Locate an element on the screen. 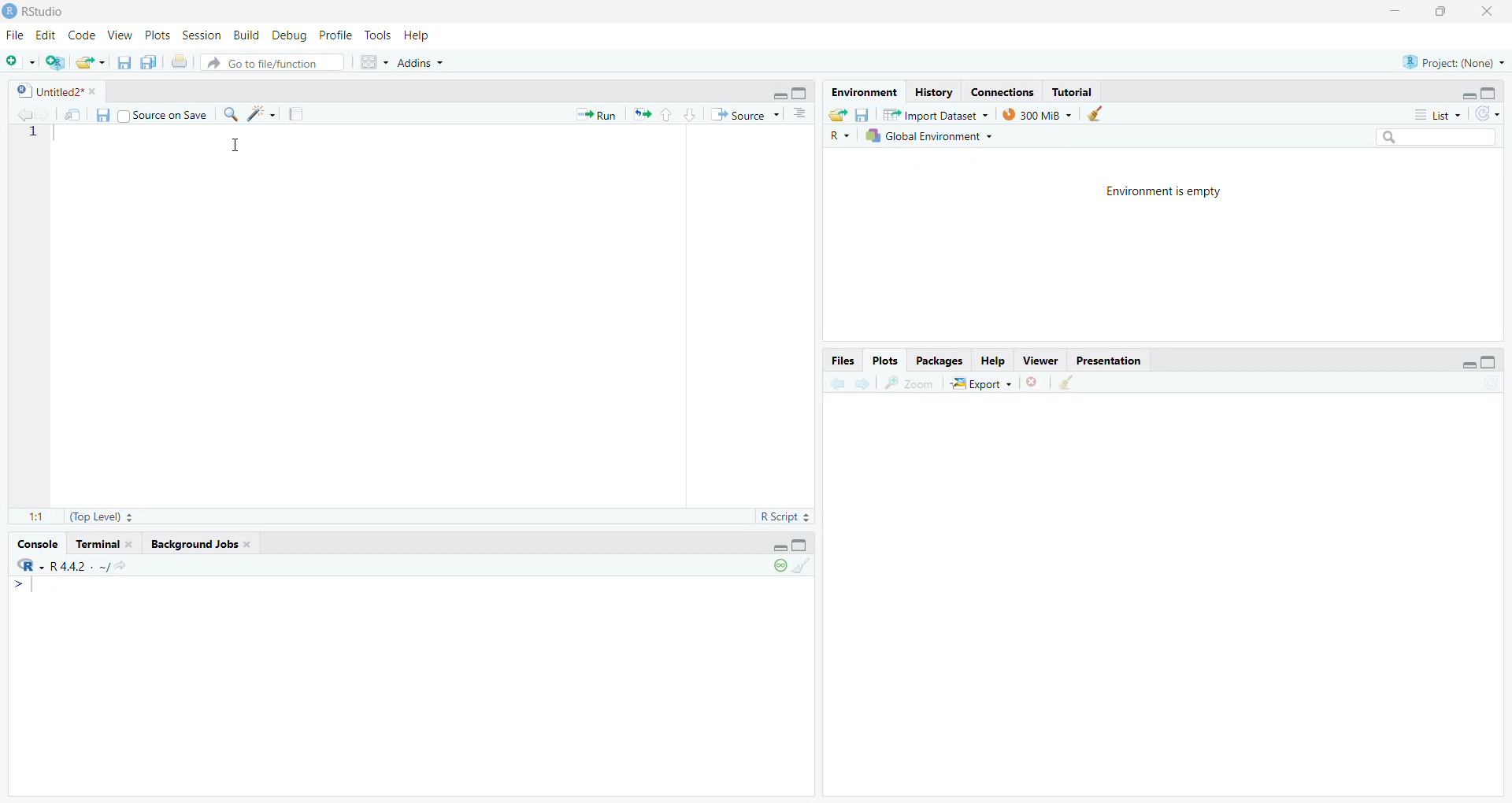 The height and width of the screenshot is (803, 1512). save is located at coordinates (865, 114).